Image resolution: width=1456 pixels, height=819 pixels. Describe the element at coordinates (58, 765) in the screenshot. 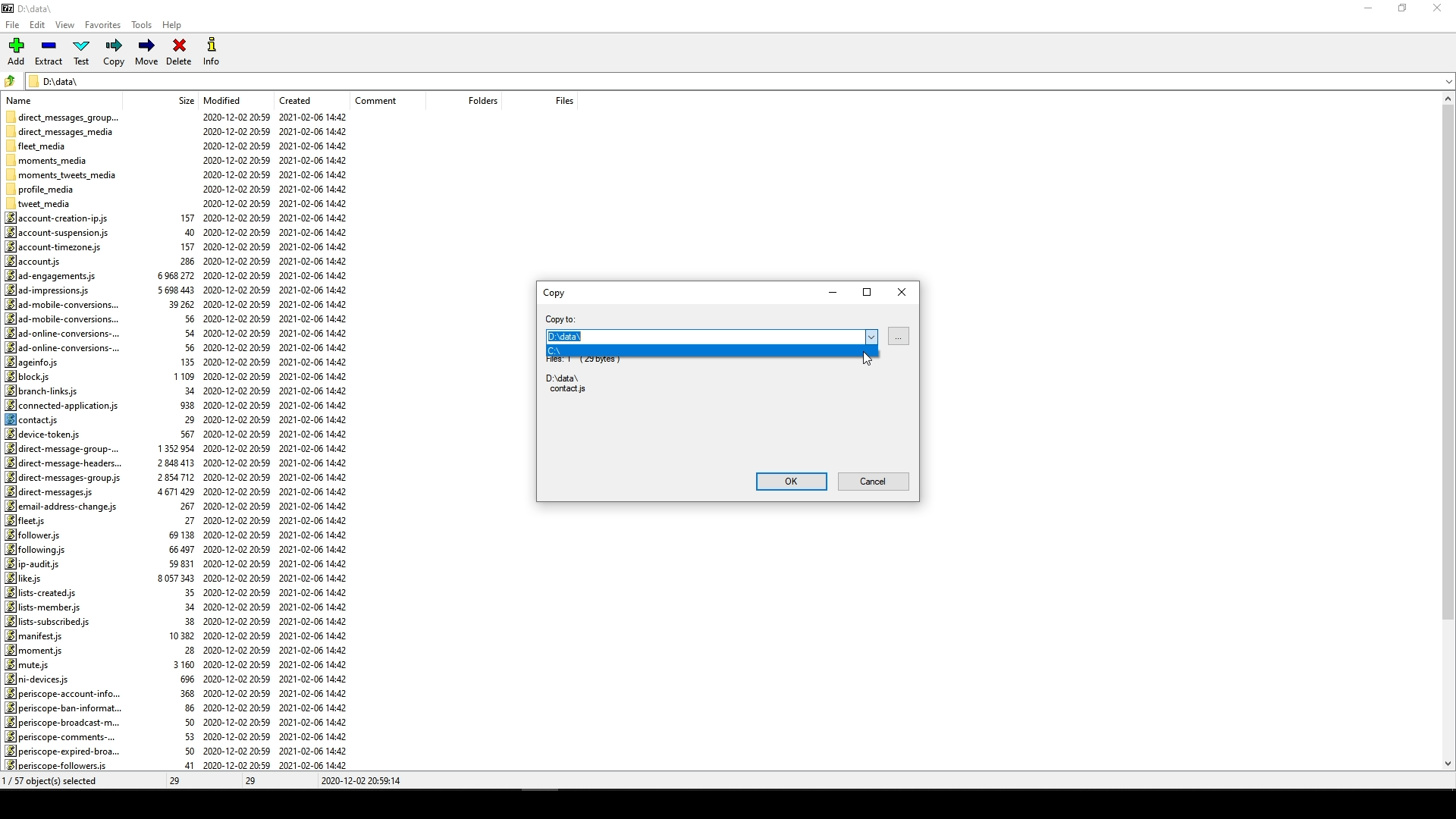

I see `periscope-followers.js` at that location.